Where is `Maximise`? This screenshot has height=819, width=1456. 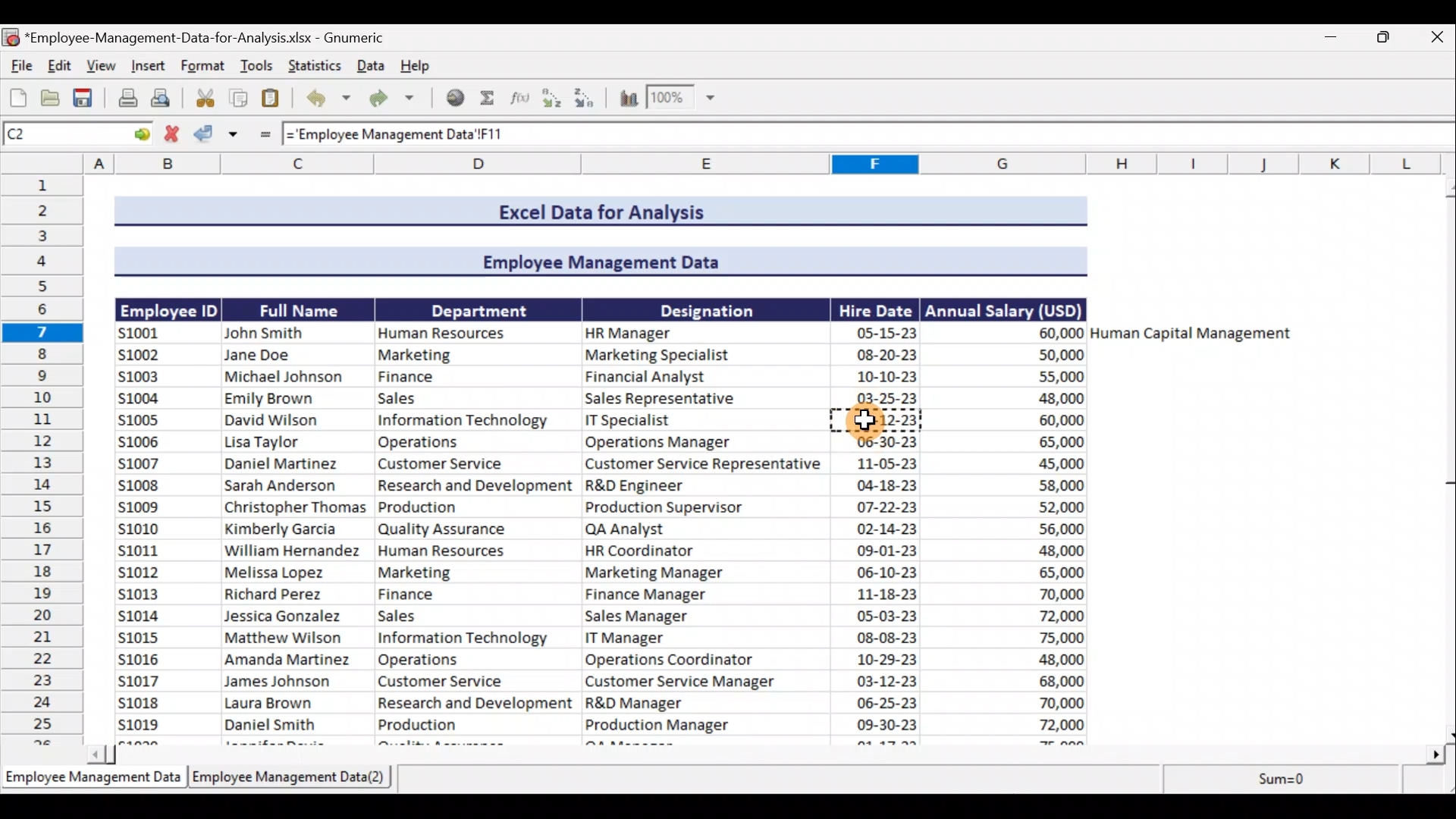
Maximise is located at coordinates (1390, 37).